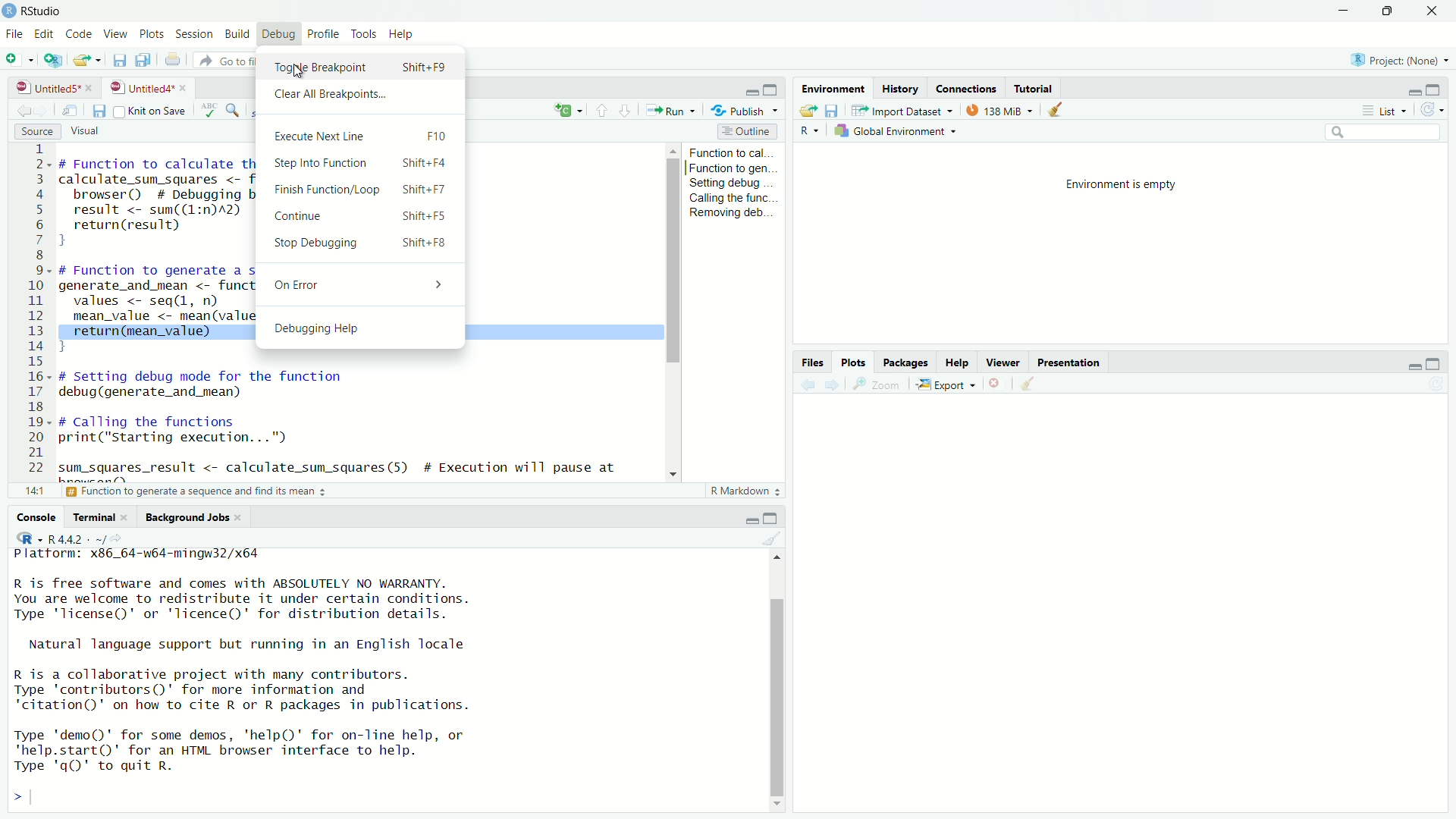 The width and height of the screenshot is (1456, 819). I want to click on Clear All Breakpoints..., so click(359, 96).